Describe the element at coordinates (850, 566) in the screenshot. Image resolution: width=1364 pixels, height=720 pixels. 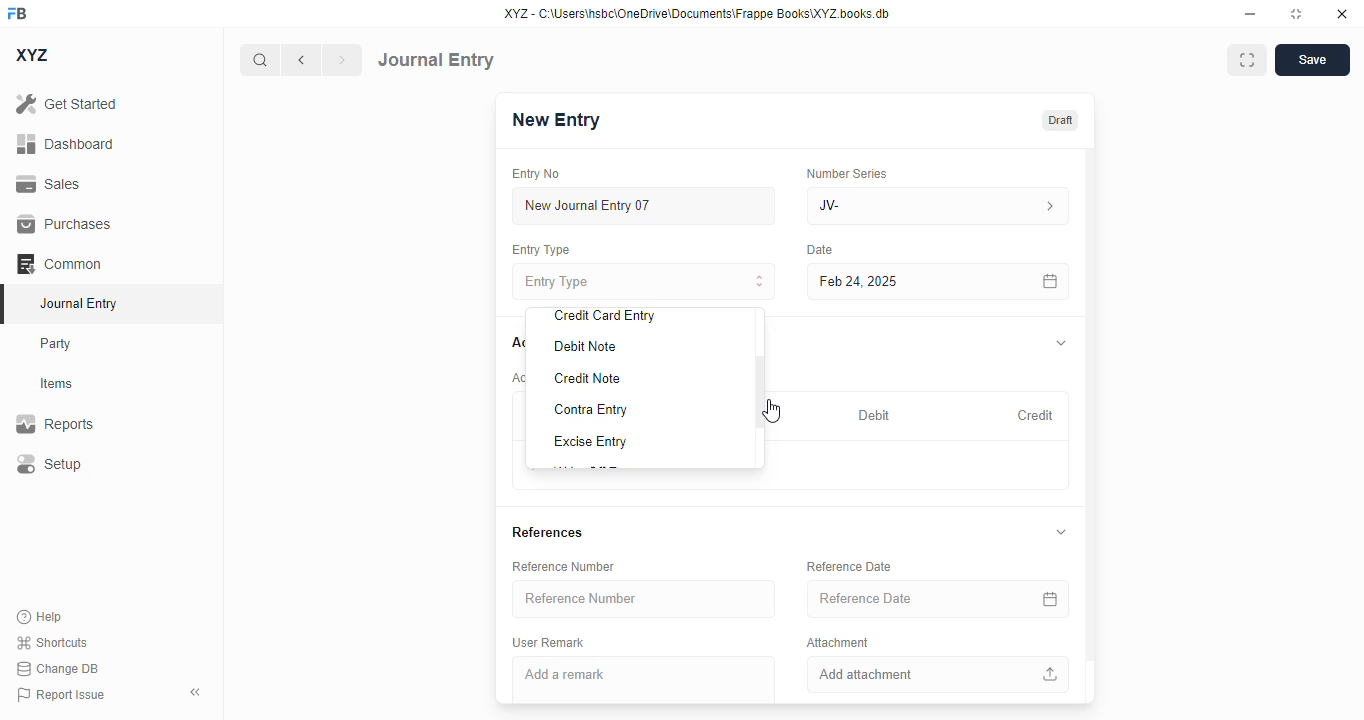
I see `reference date` at that location.